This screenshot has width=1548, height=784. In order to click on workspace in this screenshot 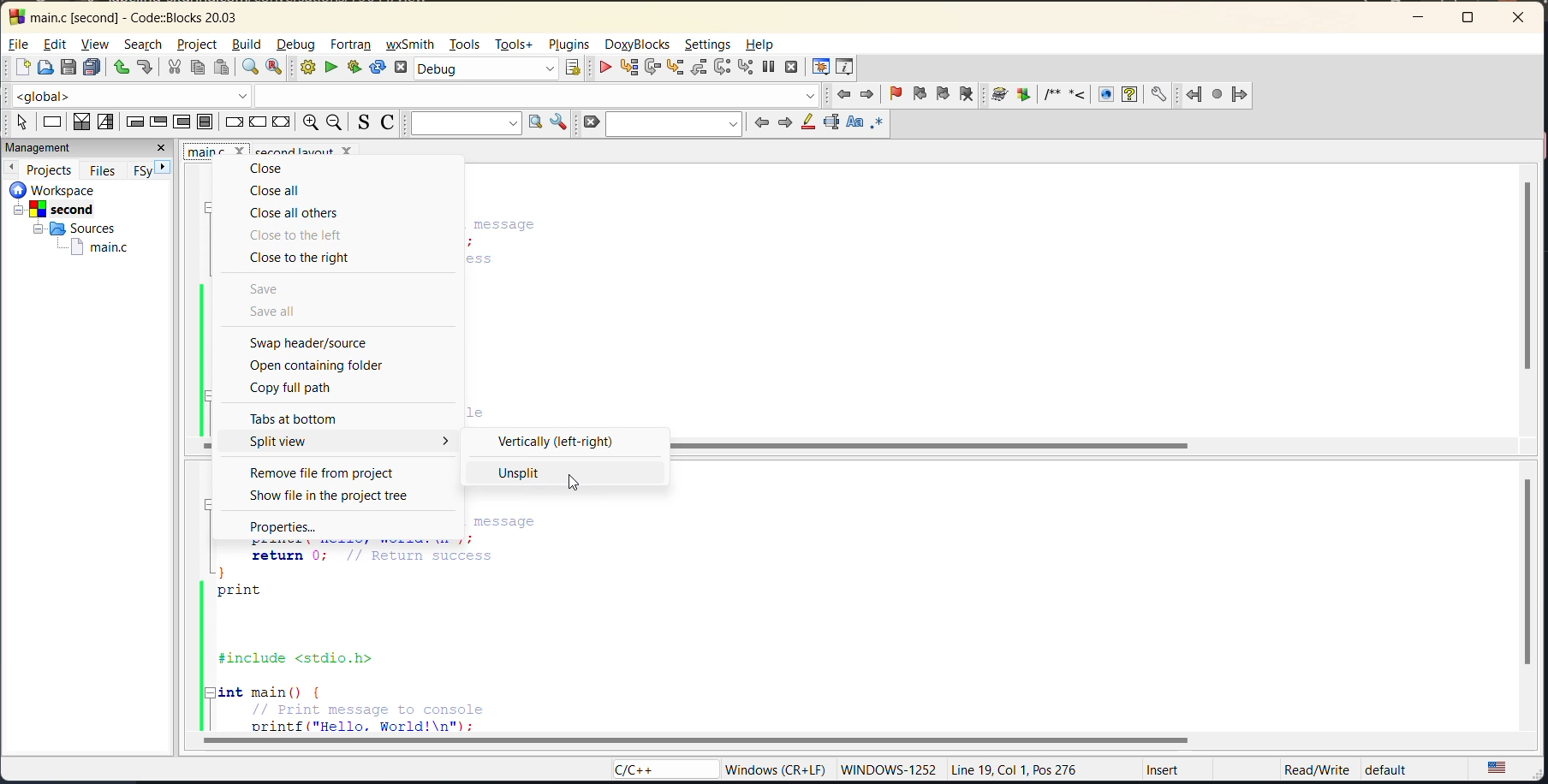, I will do `click(54, 192)`.